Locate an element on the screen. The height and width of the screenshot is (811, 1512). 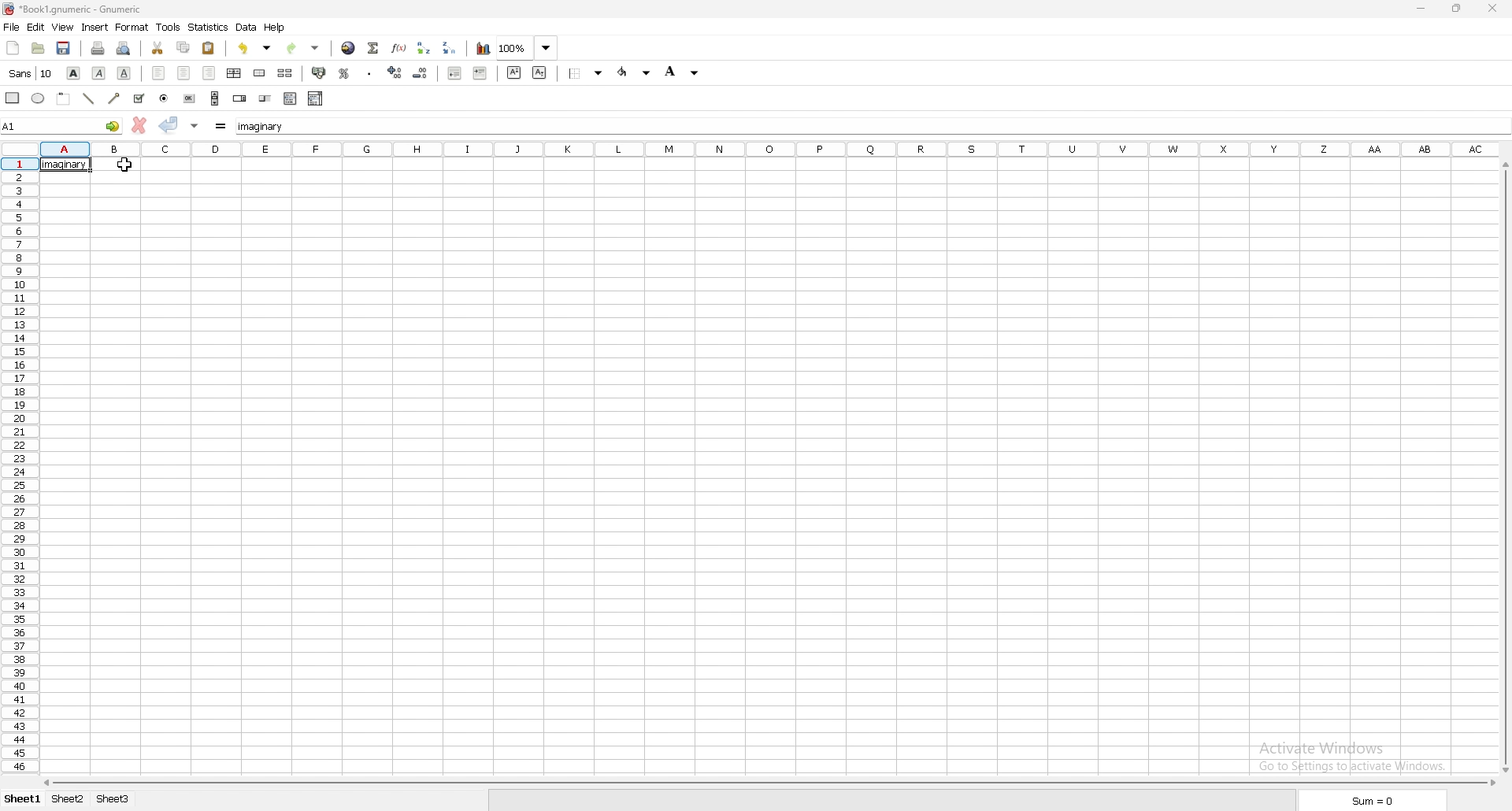
left align is located at coordinates (159, 74).